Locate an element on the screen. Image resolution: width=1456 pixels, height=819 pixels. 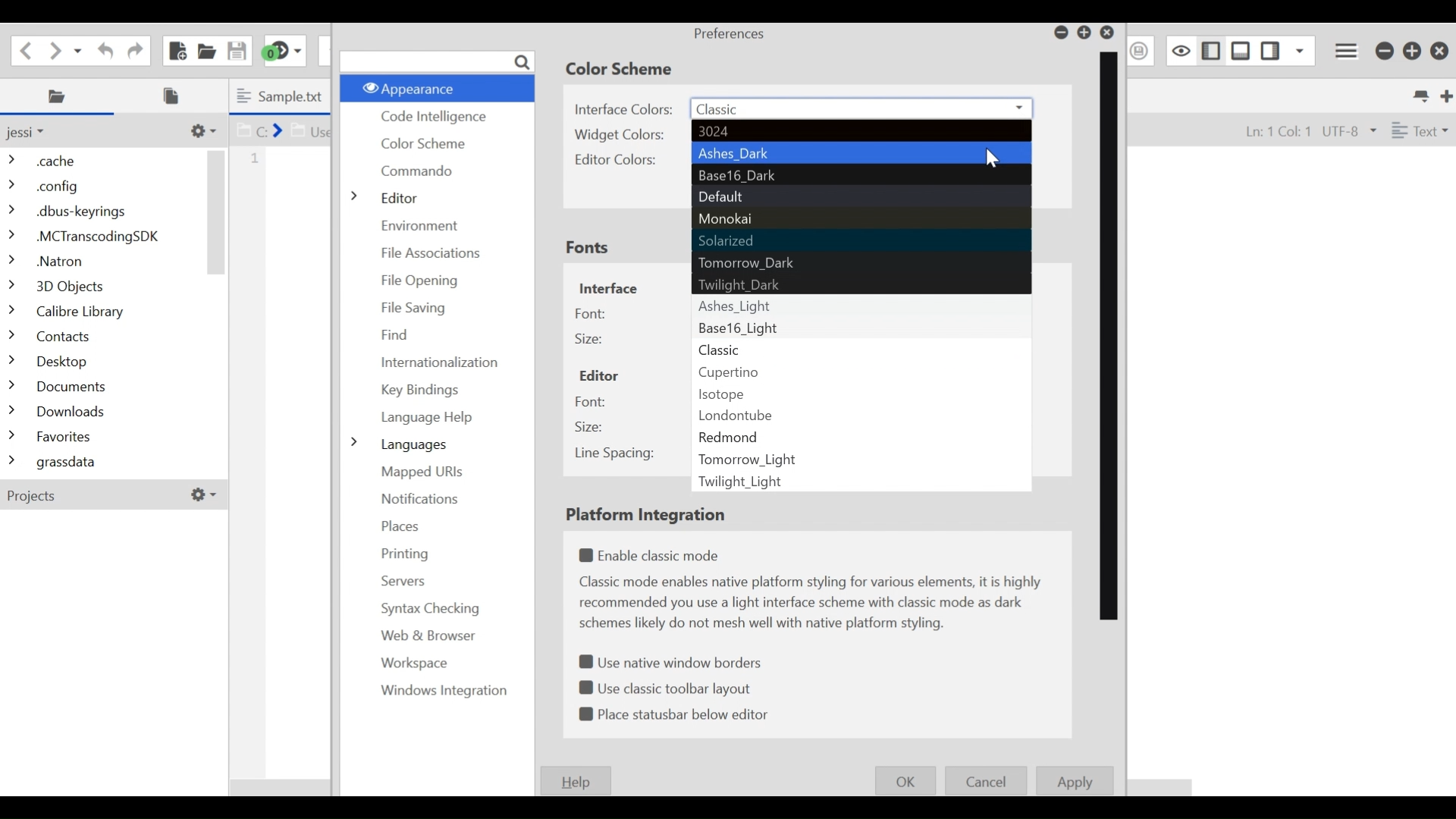
(un)select Place status bar below editor is located at coordinates (676, 715).